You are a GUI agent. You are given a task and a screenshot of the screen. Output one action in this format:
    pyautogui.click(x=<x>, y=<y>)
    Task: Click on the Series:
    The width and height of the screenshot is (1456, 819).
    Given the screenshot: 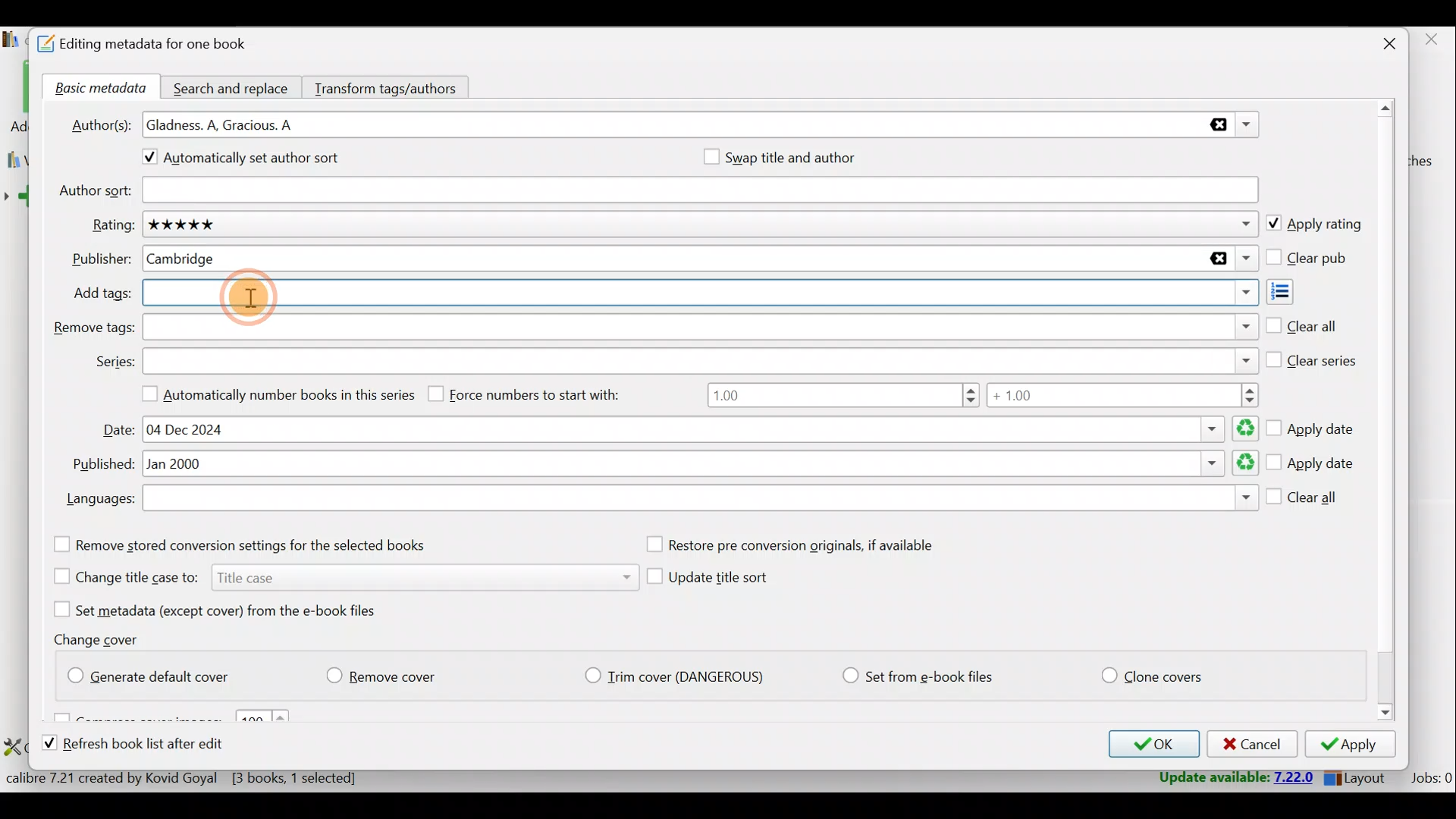 What is the action you would take?
    pyautogui.click(x=114, y=362)
    